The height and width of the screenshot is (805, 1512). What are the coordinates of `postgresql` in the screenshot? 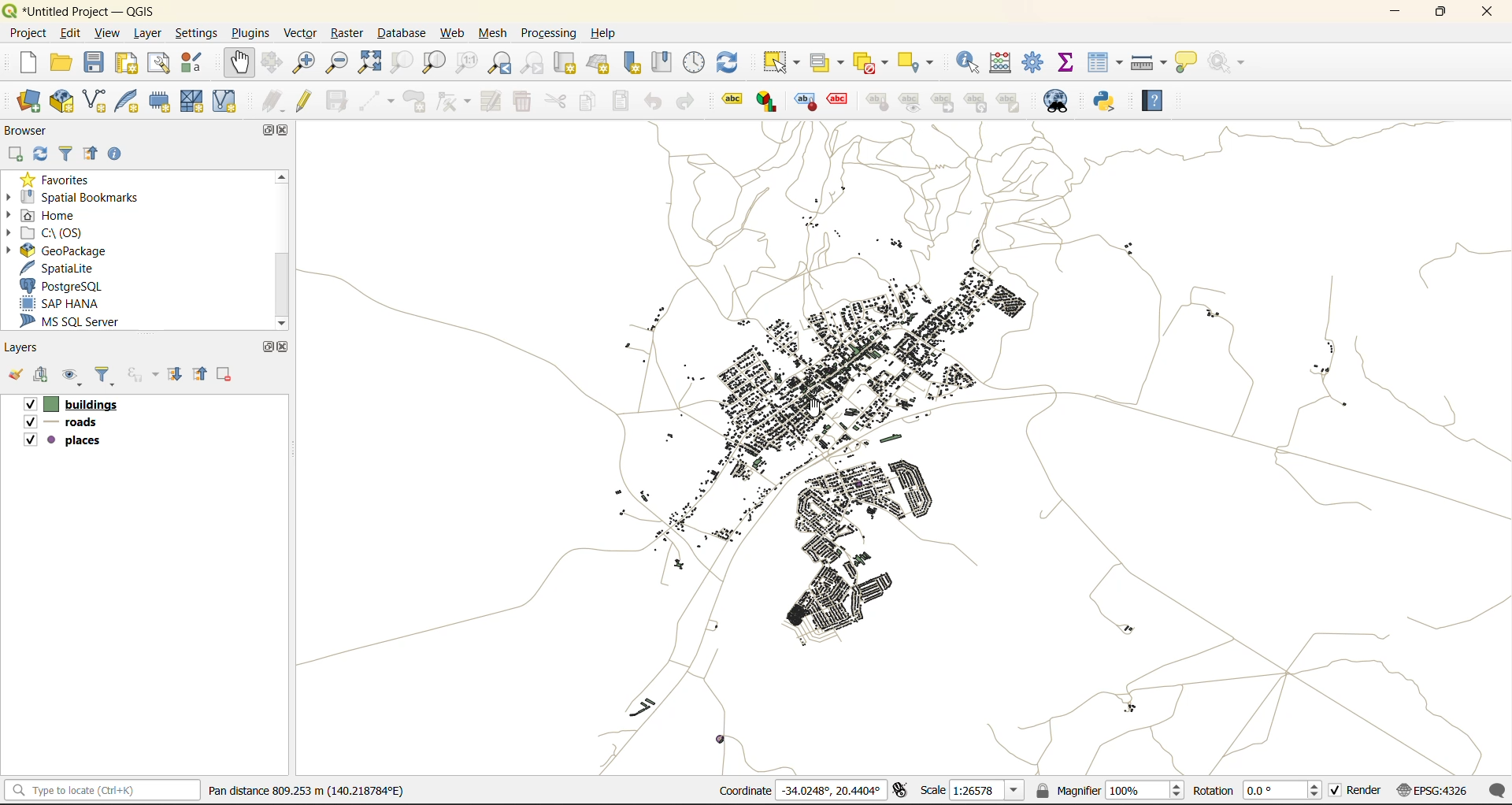 It's located at (69, 285).